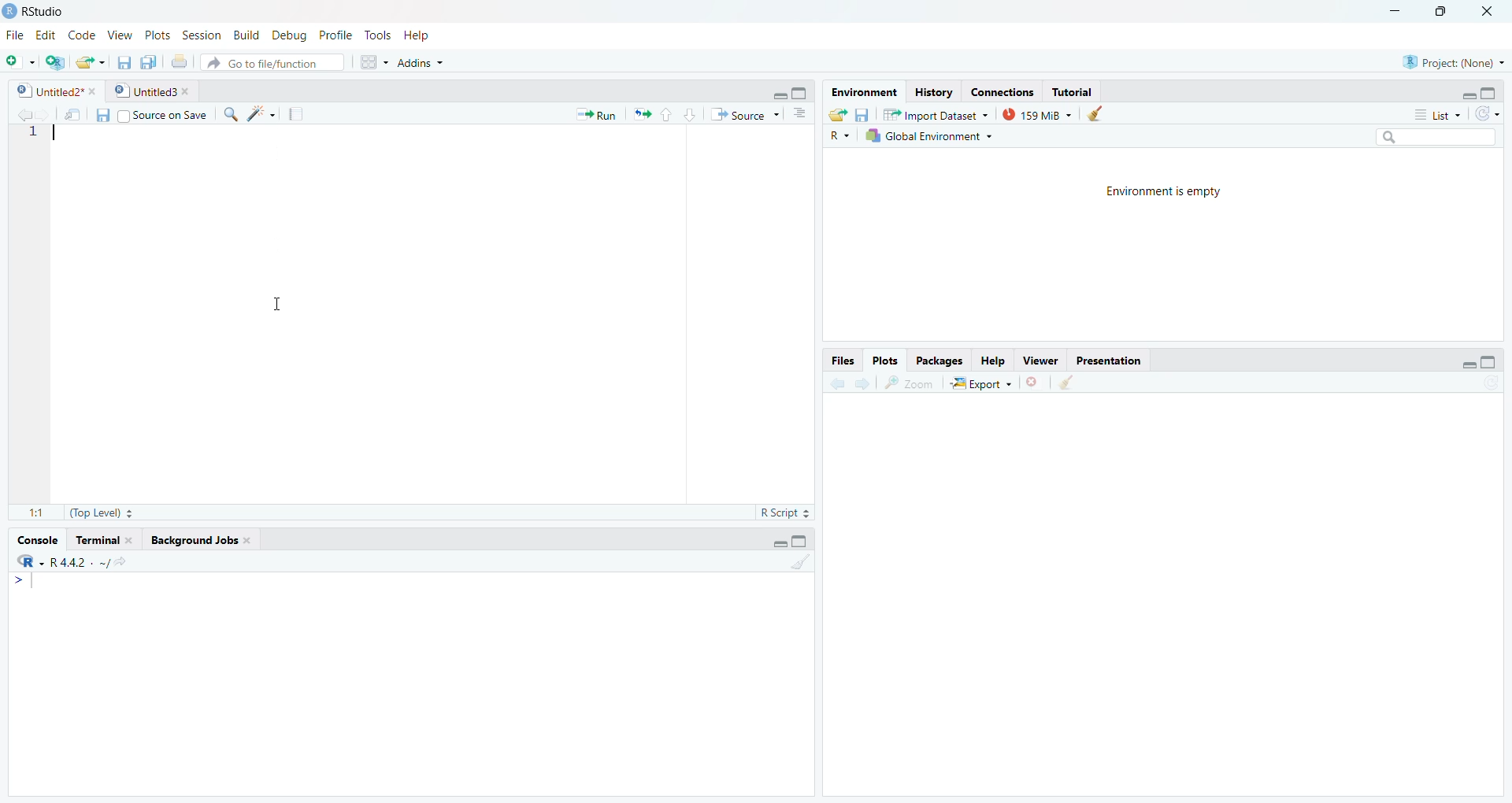  What do you see at coordinates (909, 383) in the screenshot?
I see `Zoom` at bounding box center [909, 383].